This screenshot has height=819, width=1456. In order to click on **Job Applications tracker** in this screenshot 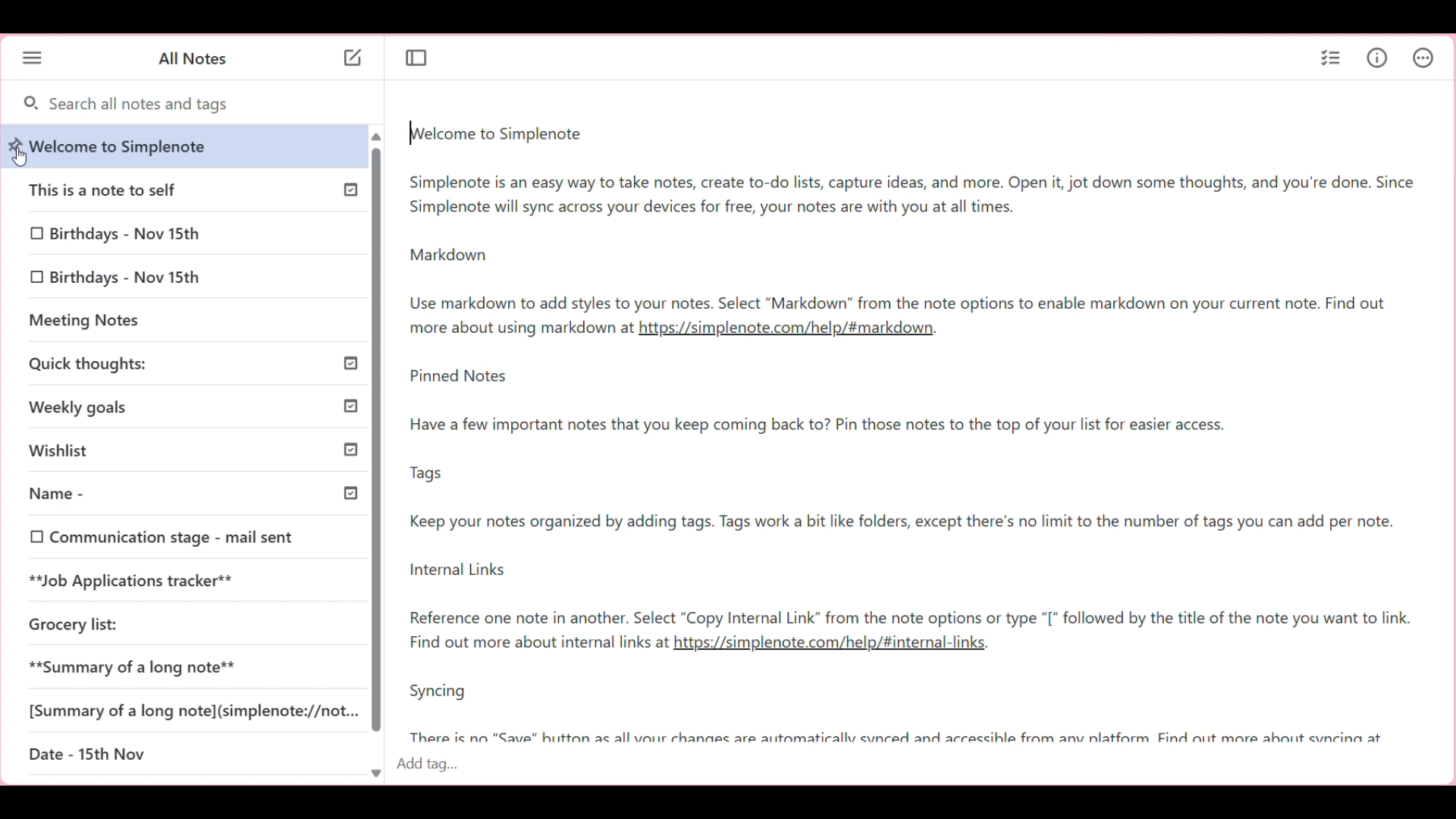, I will do `click(136, 582)`.